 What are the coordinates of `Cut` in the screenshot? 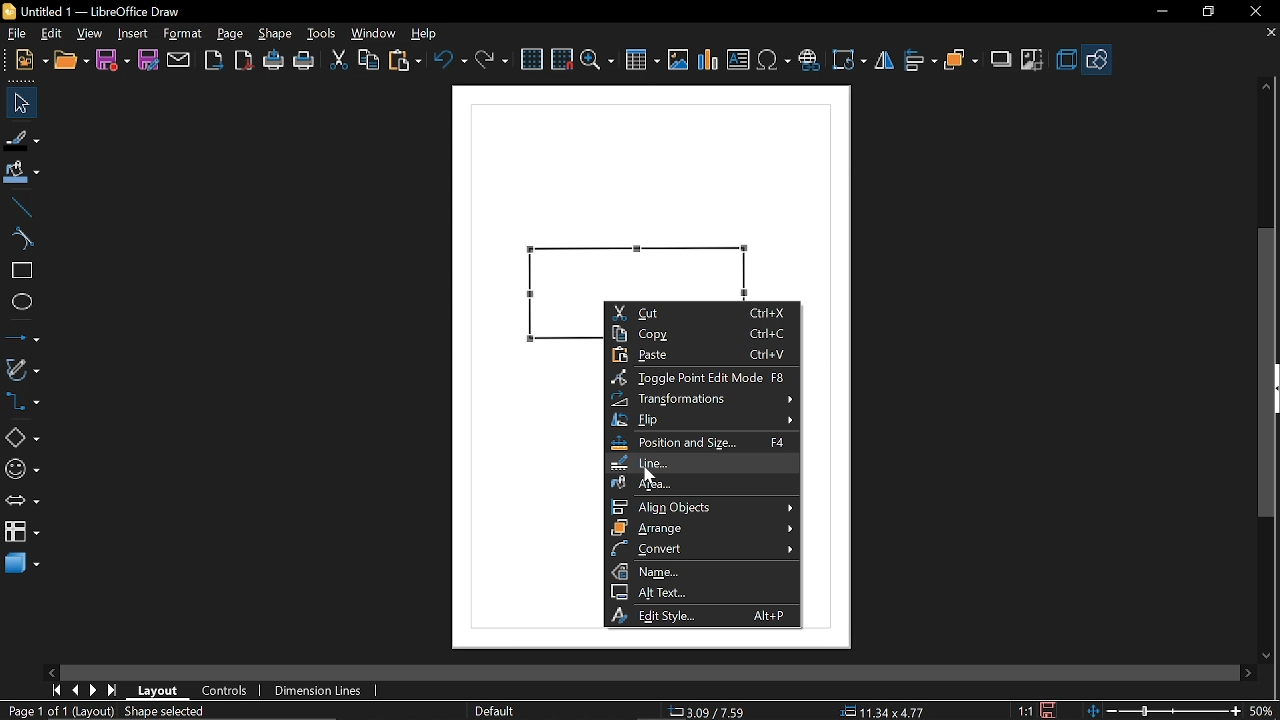 It's located at (700, 311).